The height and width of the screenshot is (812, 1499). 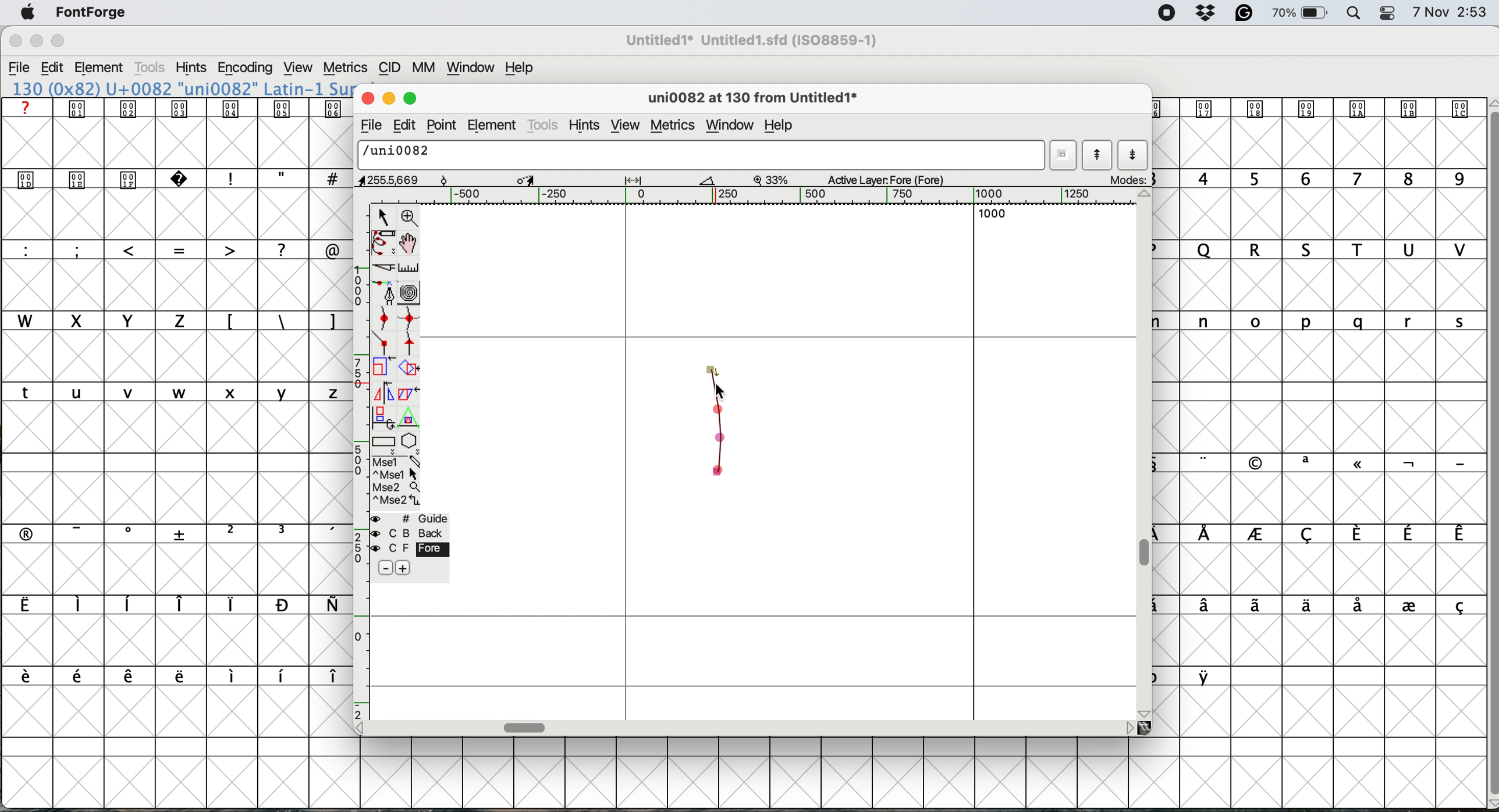 What do you see at coordinates (1244, 13) in the screenshot?
I see `grammarly` at bounding box center [1244, 13].